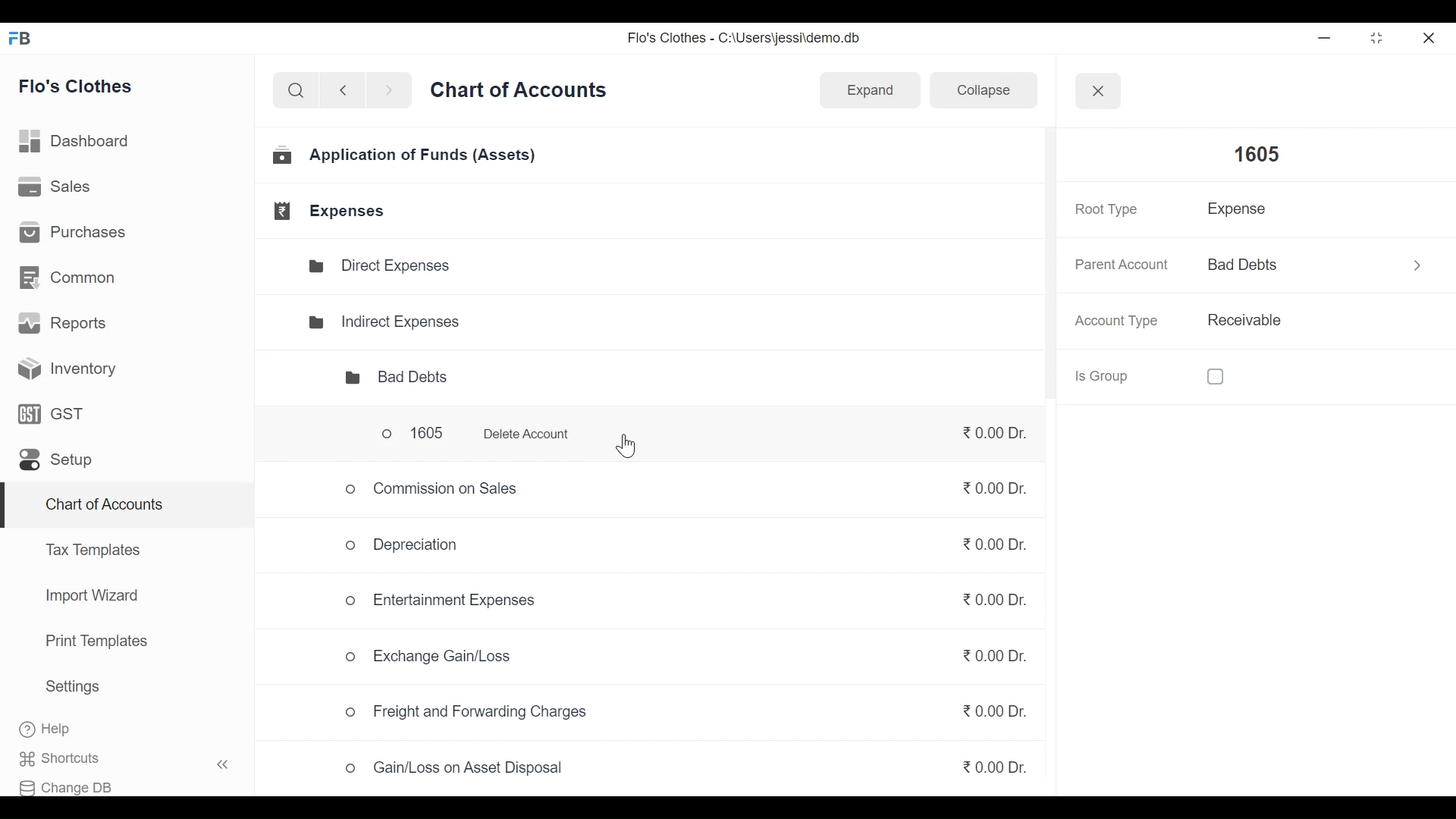  What do you see at coordinates (1247, 155) in the screenshot?
I see `1605` at bounding box center [1247, 155].